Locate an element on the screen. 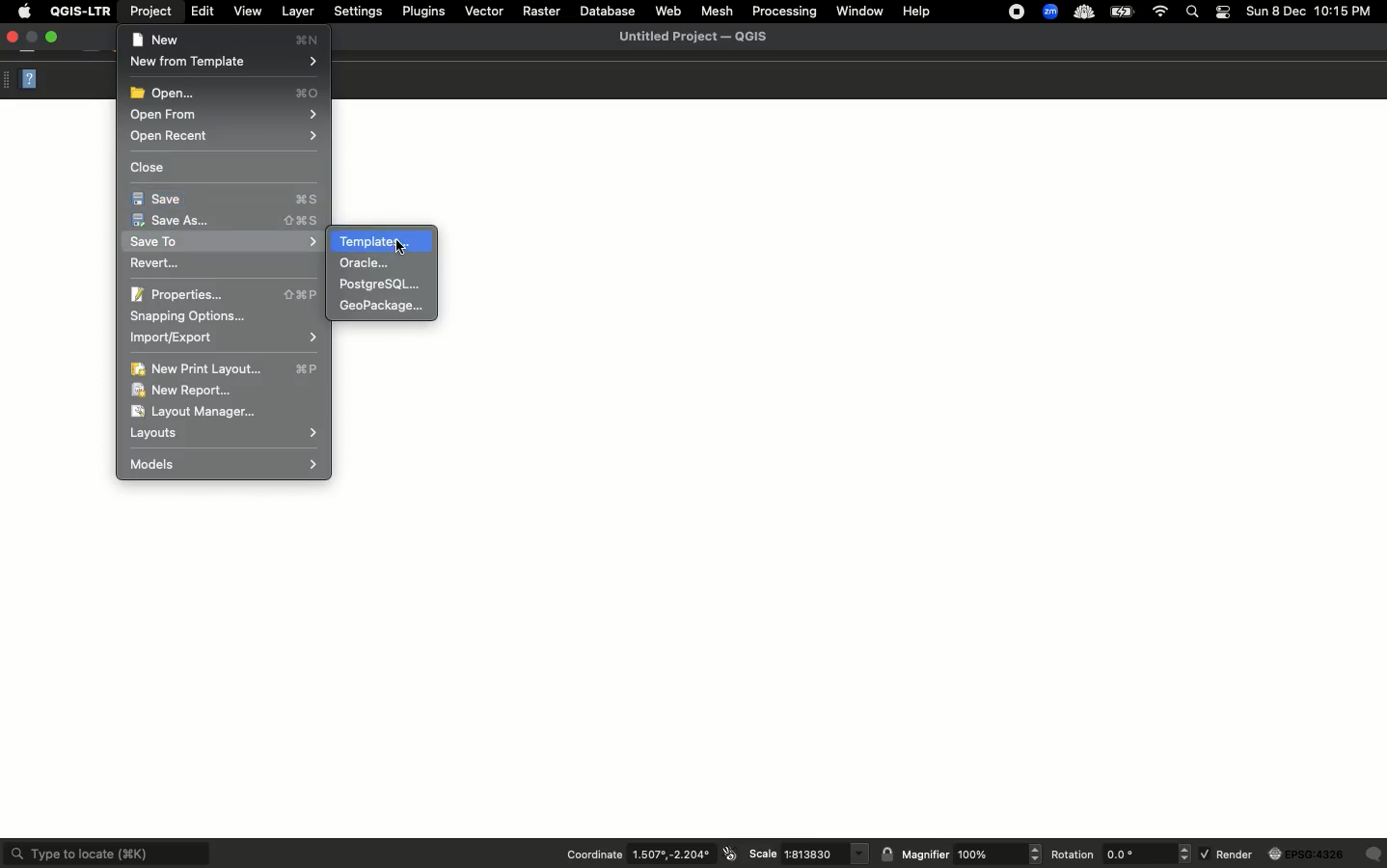 This screenshot has height=868, width=1387. Type to locate is located at coordinates (106, 852).